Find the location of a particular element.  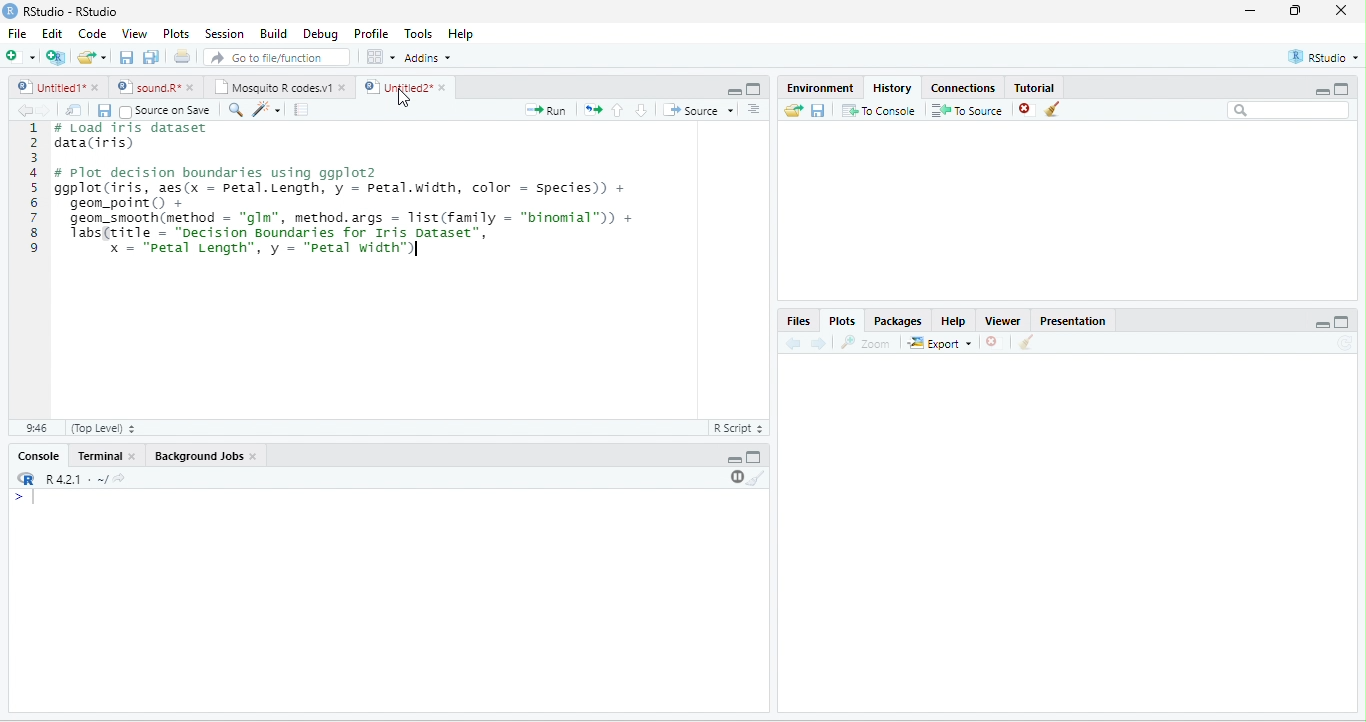

Edit is located at coordinates (52, 32).